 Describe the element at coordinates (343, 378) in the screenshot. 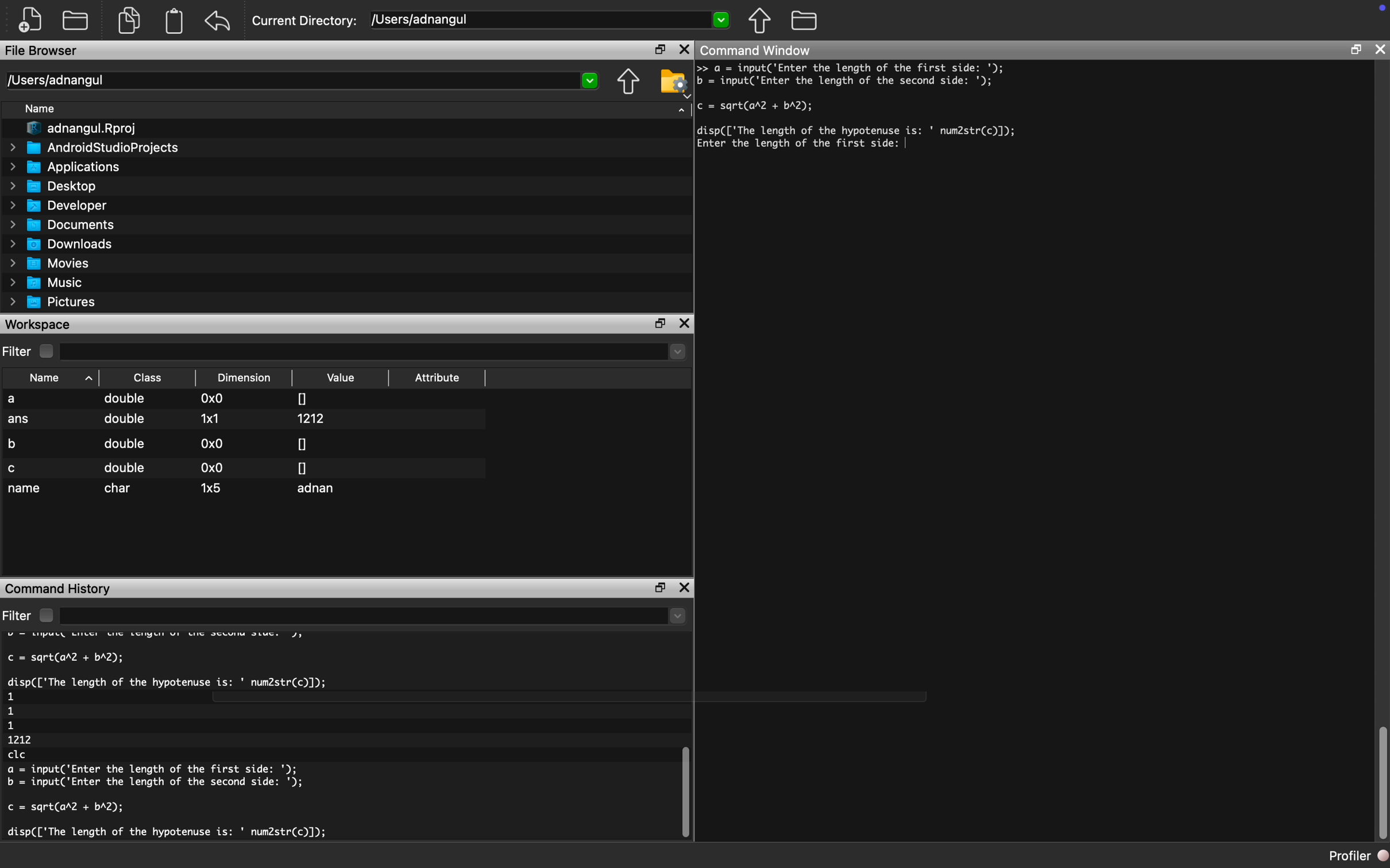

I see `Value` at that location.